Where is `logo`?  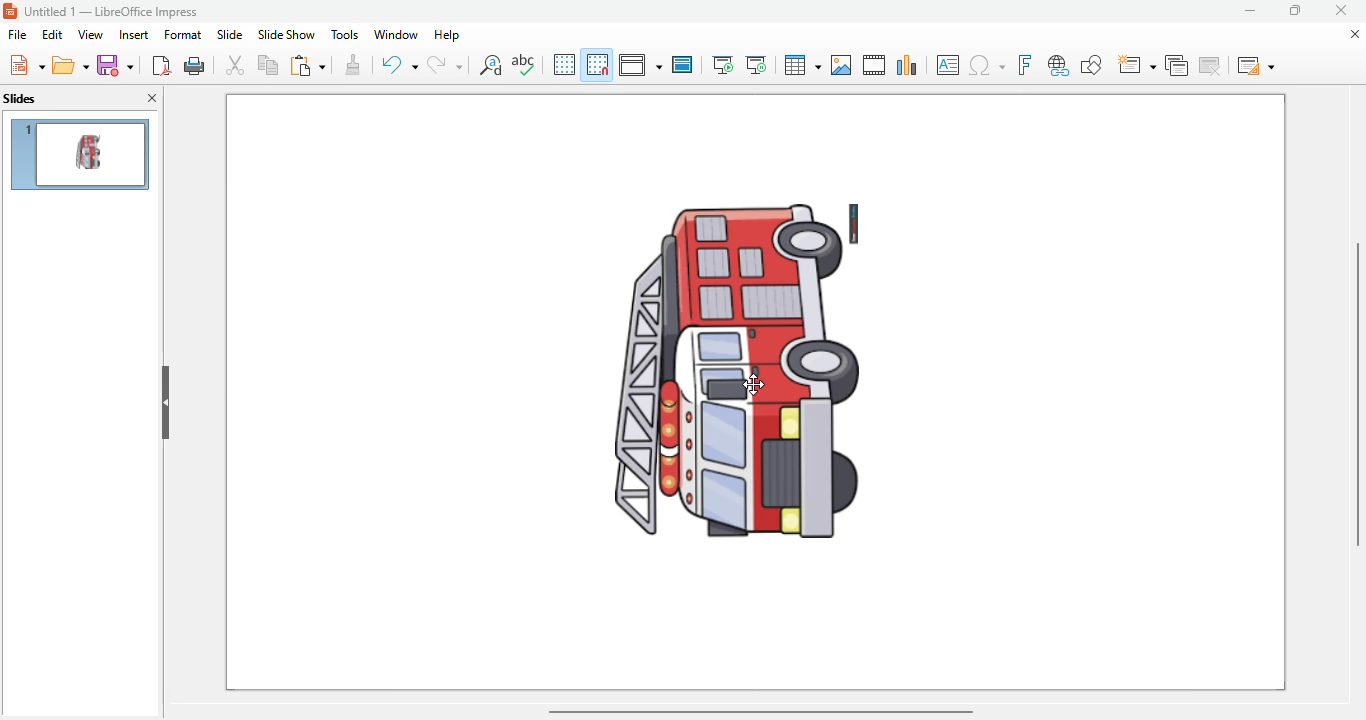
logo is located at coordinates (10, 10).